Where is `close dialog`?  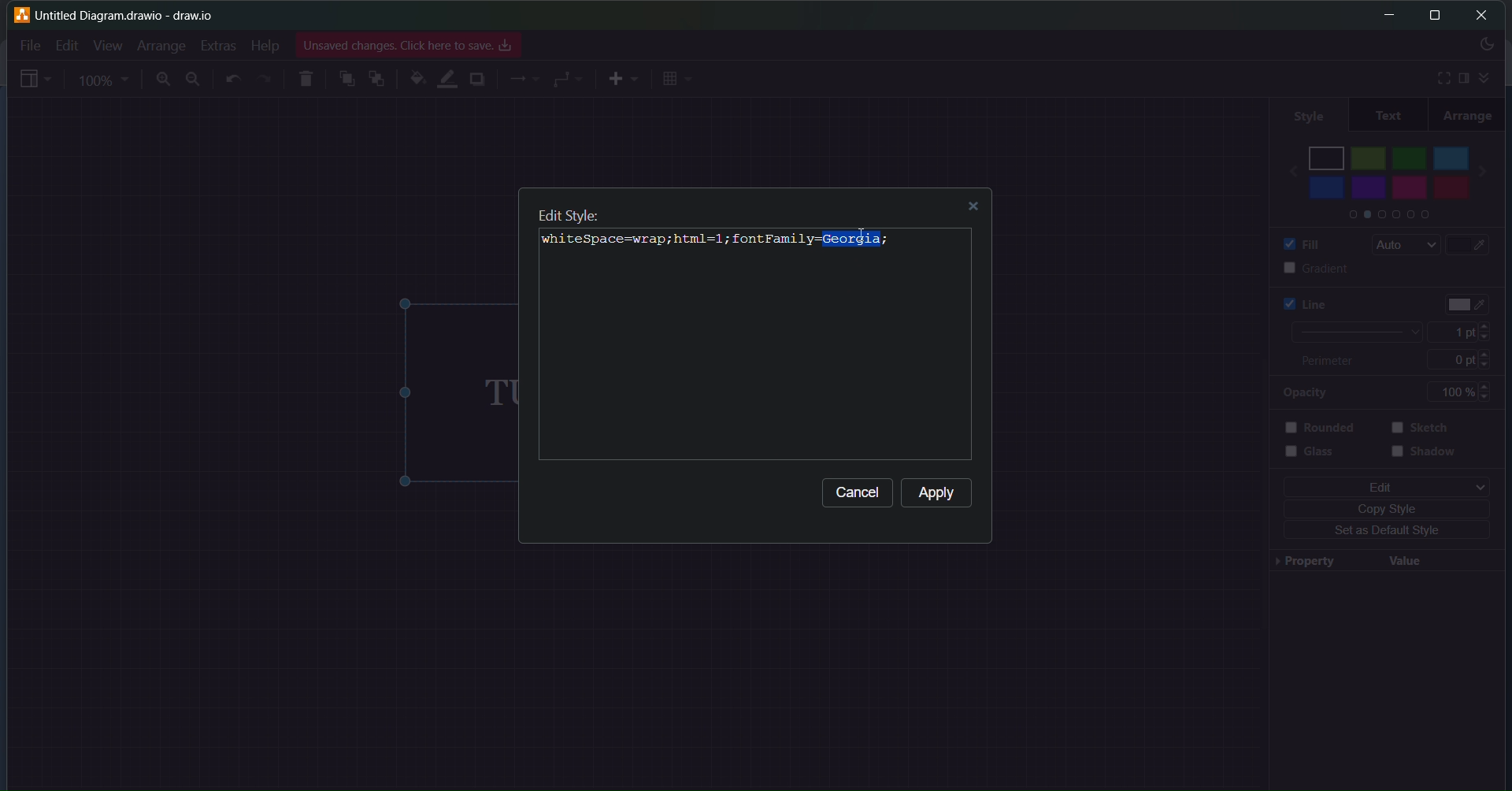
close dialog is located at coordinates (977, 209).